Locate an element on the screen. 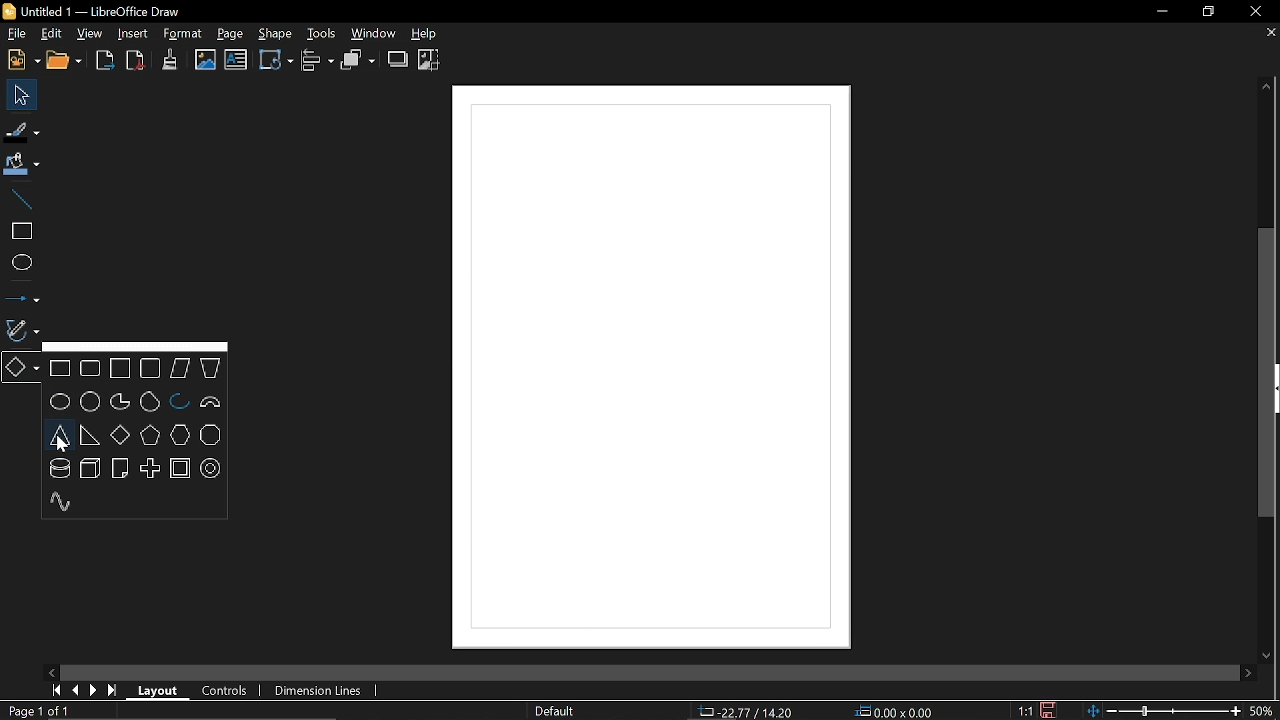 The width and height of the screenshot is (1280, 720). Zoom is located at coordinates (1263, 710).